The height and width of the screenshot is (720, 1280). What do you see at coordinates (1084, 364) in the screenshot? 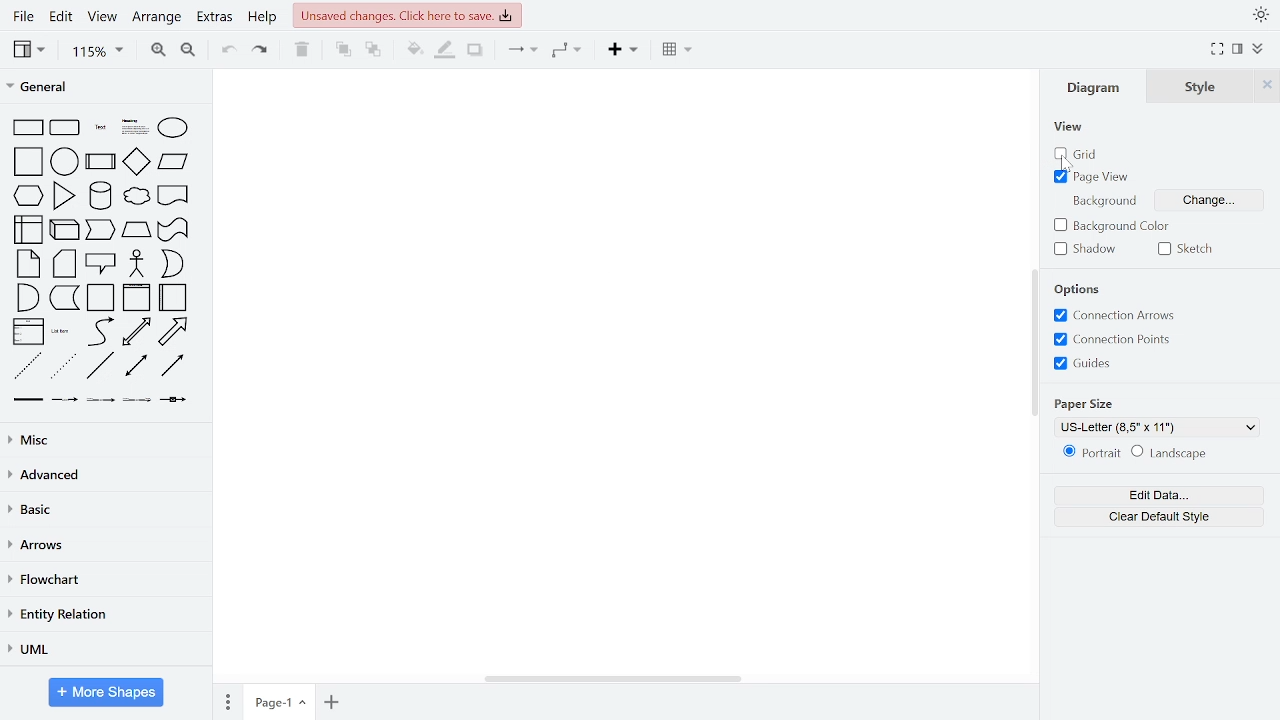
I see `guides` at bounding box center [1084, 364].